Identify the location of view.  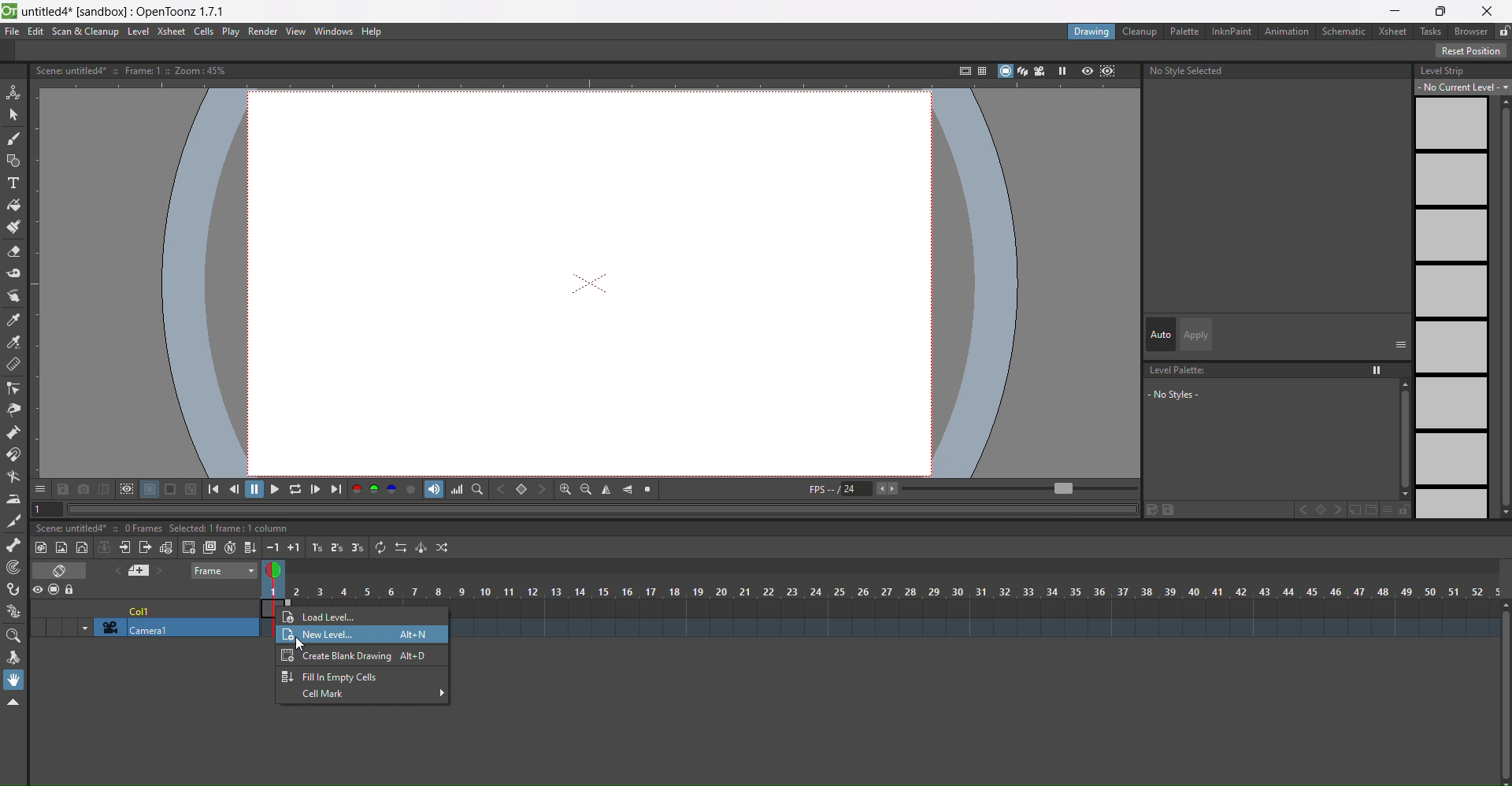
(277, 573).